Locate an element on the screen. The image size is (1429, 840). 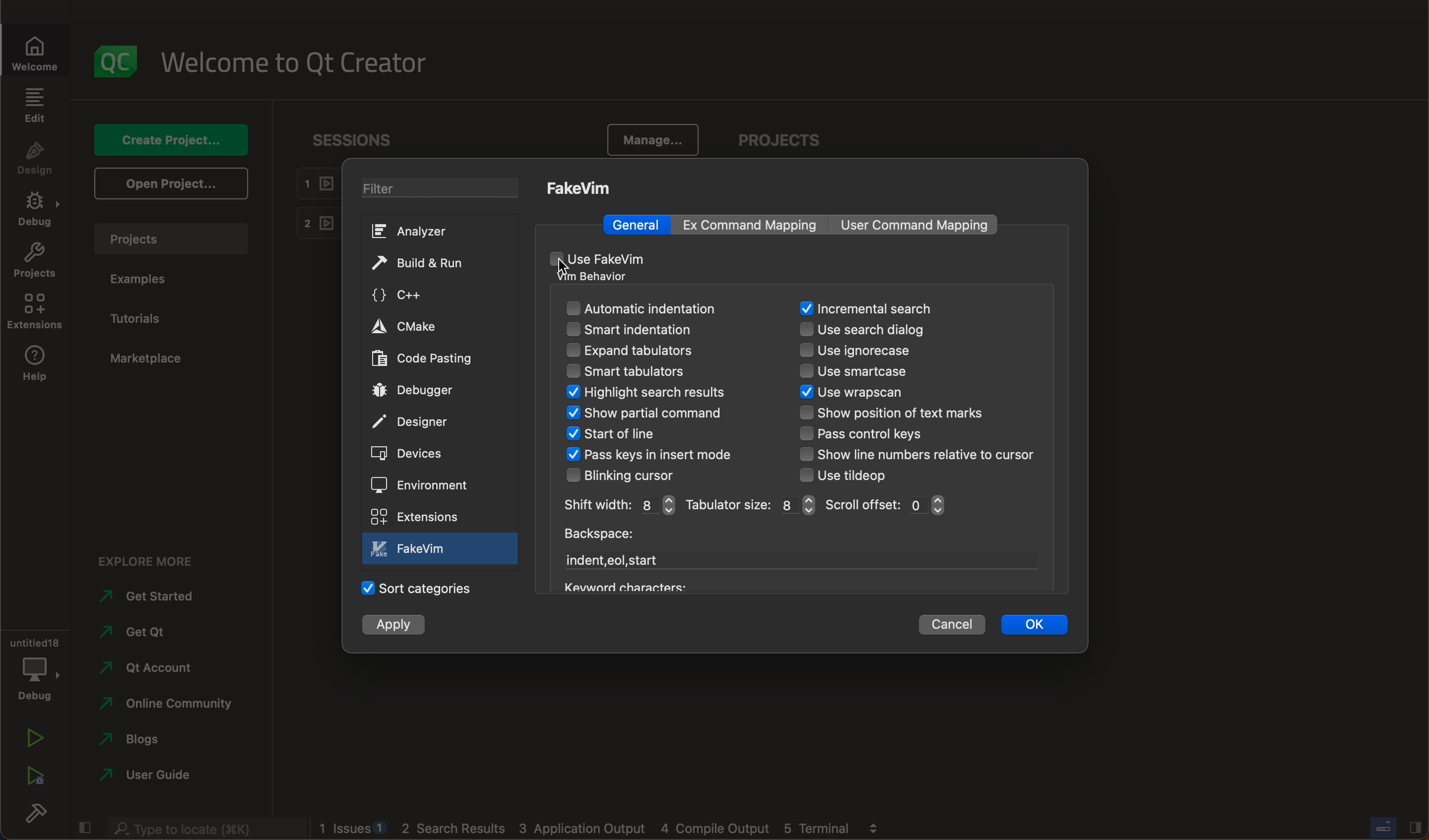
line number is located at coordinates (919, 454).